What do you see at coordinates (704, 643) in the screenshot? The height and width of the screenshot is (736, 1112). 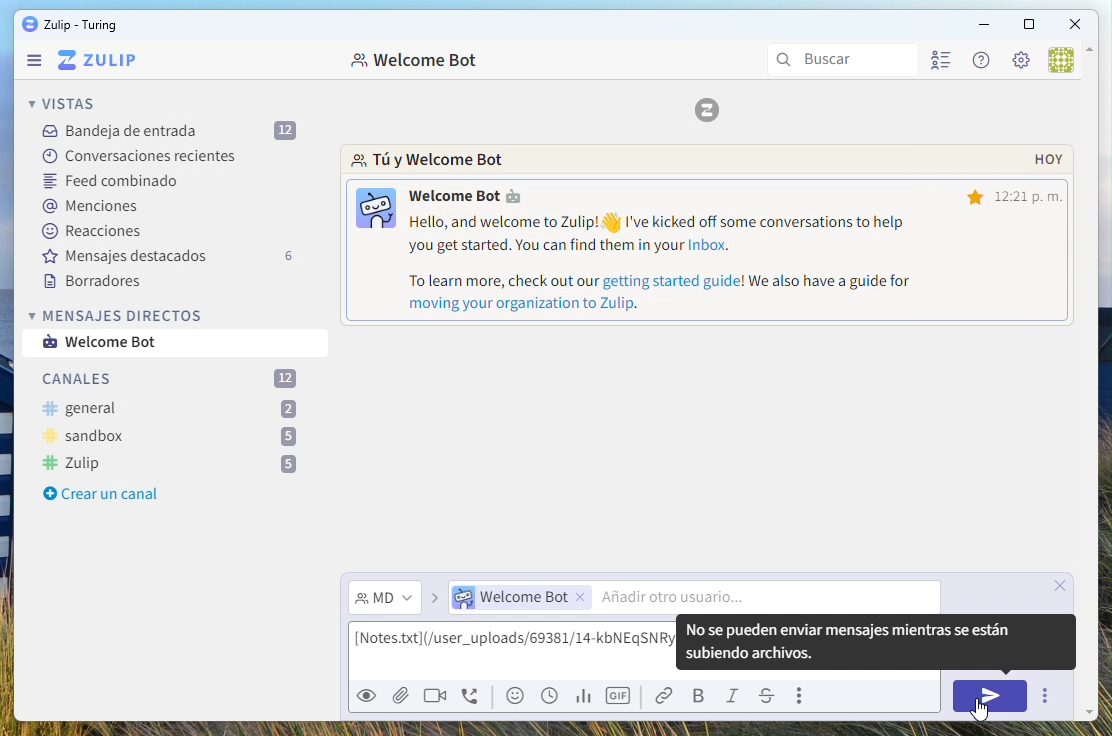 I see `file uploading` at bounding box center [704, 643].